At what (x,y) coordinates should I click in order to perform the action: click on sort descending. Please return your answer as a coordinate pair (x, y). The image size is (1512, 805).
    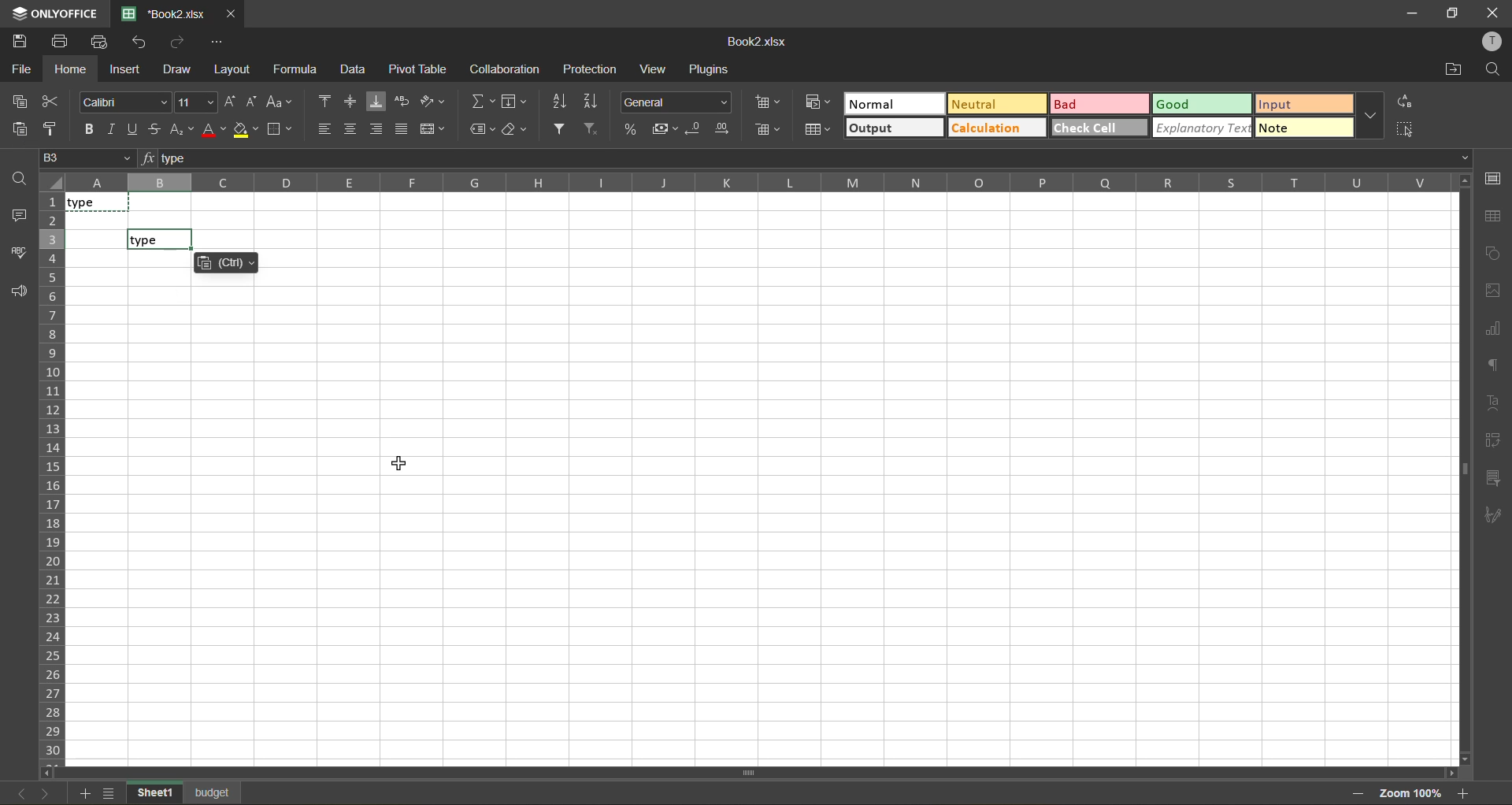
    Looking at the image, I should click on (591, 101).